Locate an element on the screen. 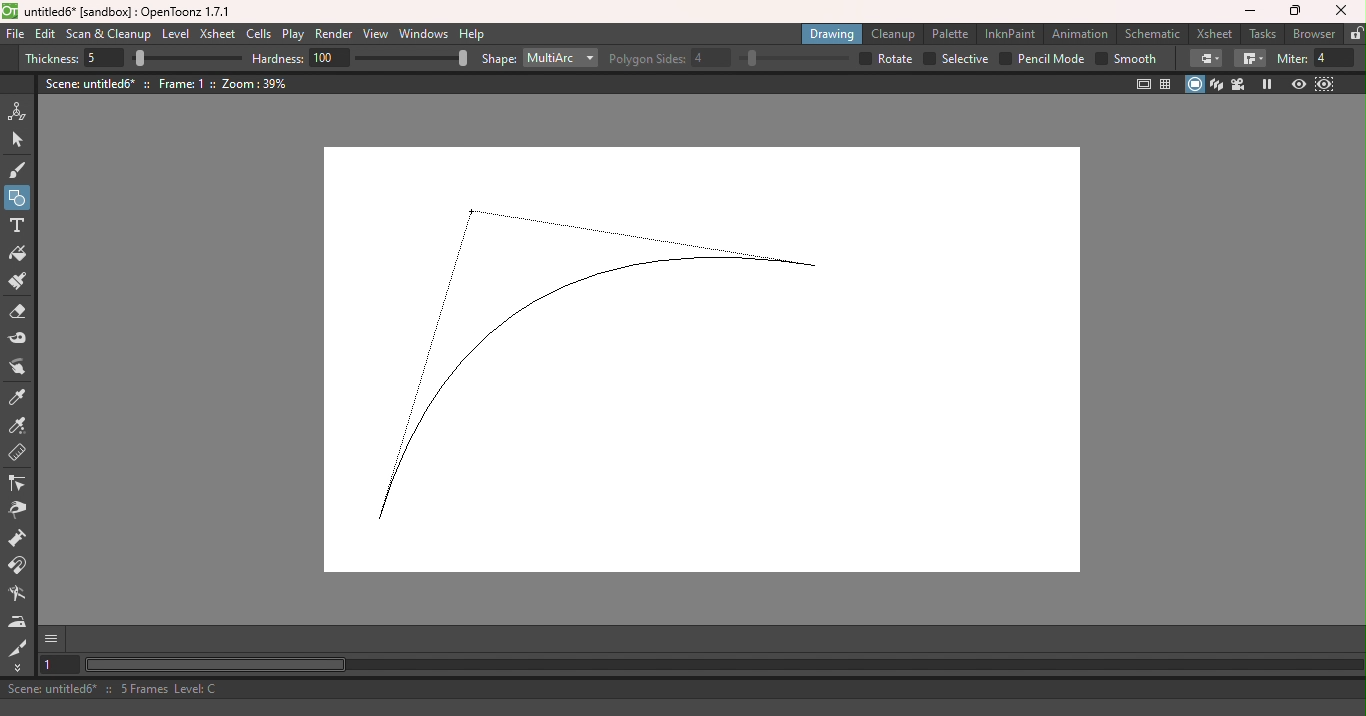 The width and height of the screenshot is (1366, 716). Pencil mode is located at coordinates (1041, 60).